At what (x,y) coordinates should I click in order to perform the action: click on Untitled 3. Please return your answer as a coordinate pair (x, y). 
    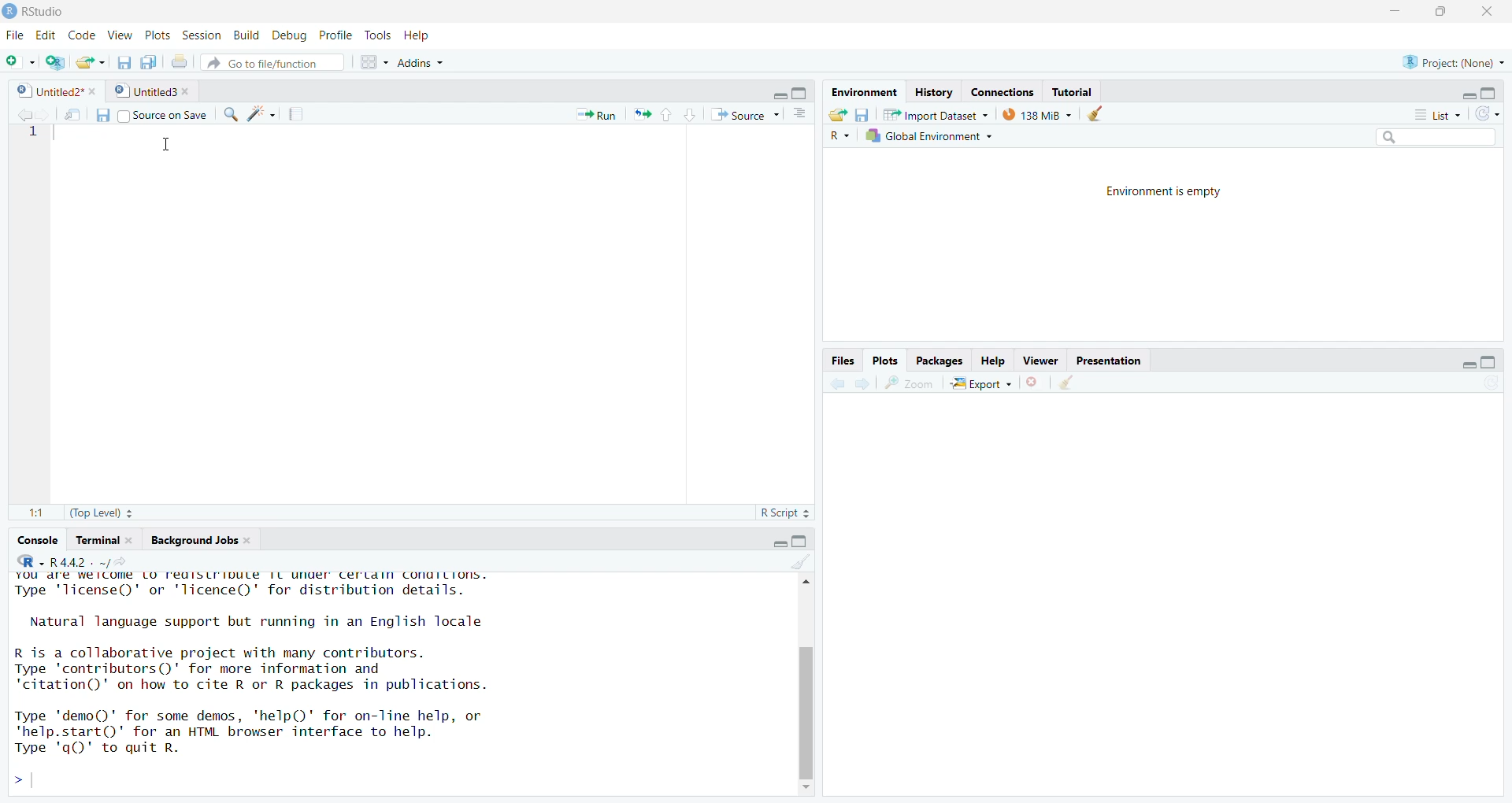
    Looking at the image, I should click on (152, 91).